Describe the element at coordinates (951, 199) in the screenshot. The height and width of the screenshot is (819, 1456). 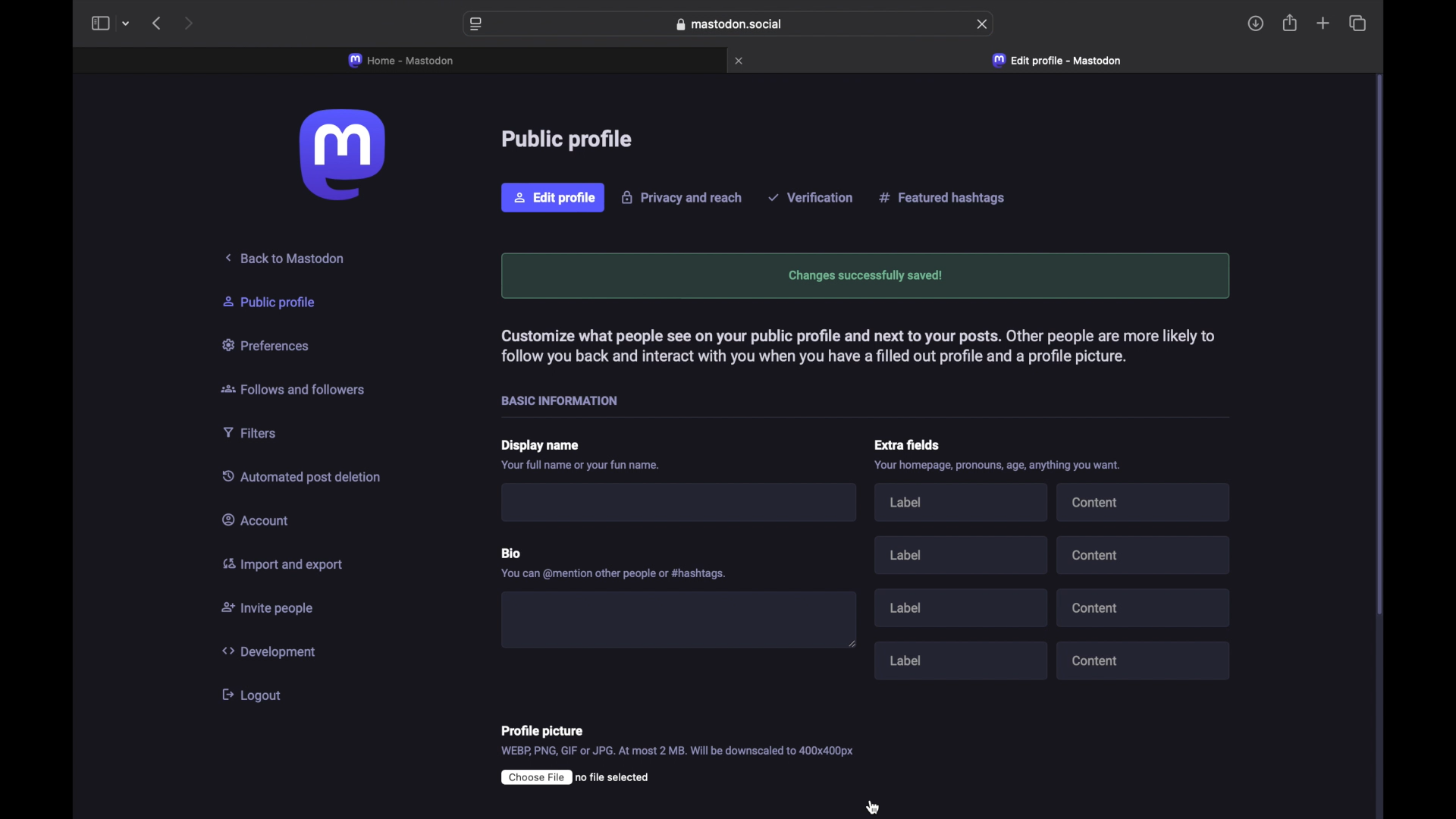
I see `Featured hashtags` at that location.